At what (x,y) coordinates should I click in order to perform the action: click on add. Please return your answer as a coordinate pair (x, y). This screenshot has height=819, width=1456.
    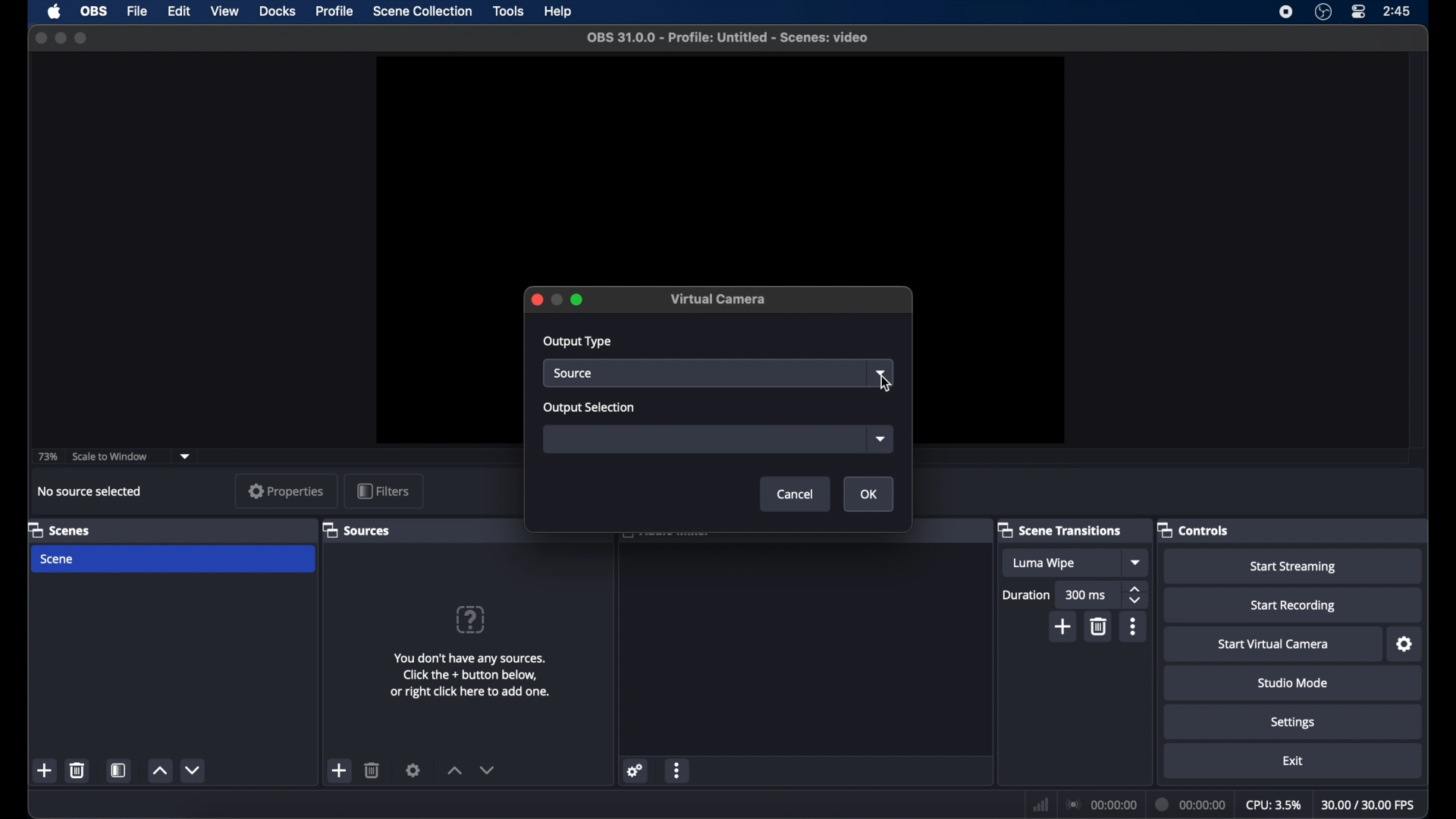
    Looking at the image, I should click on (1063, 626).